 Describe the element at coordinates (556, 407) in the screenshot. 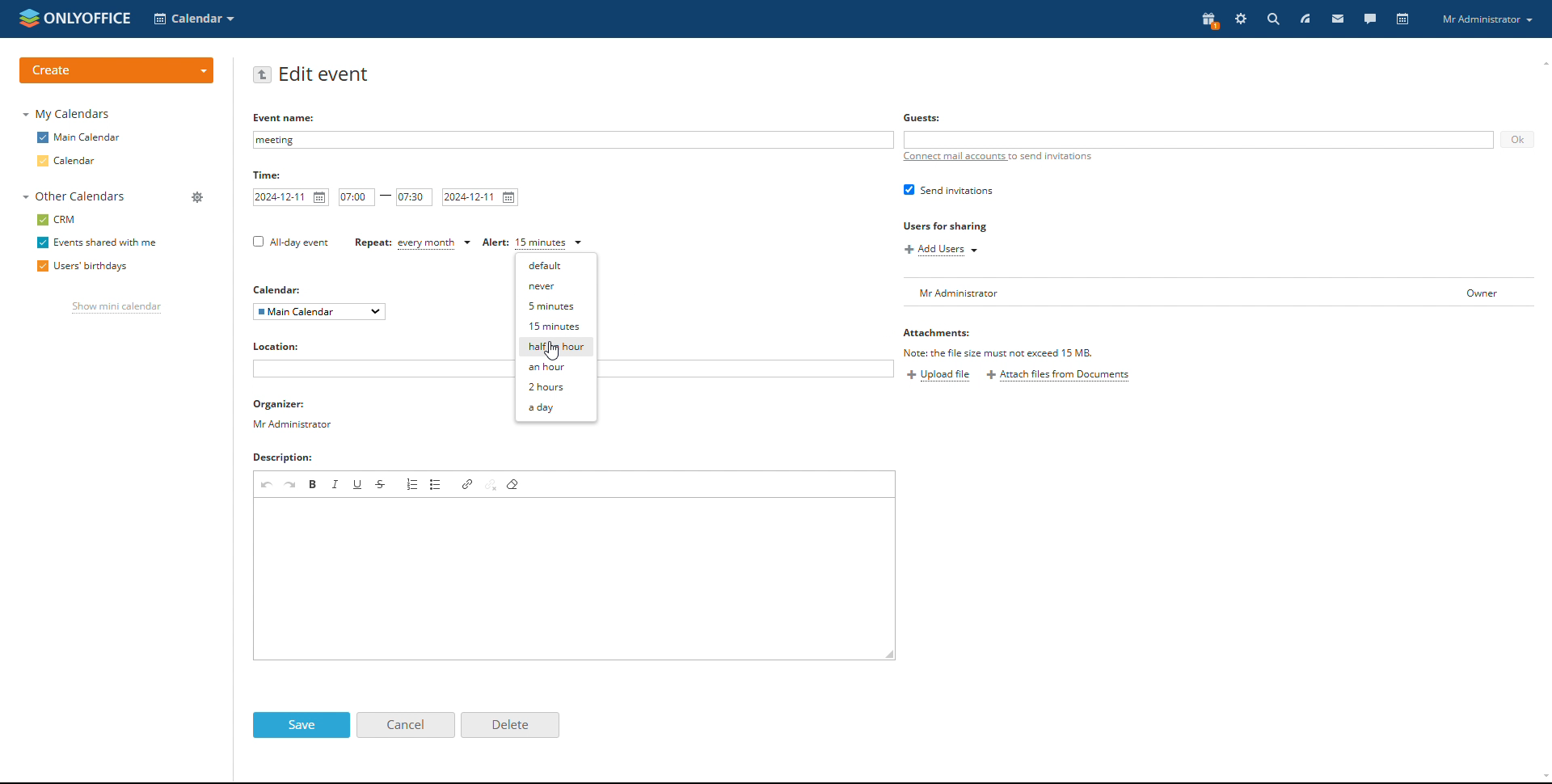

I see `a day` at that location.